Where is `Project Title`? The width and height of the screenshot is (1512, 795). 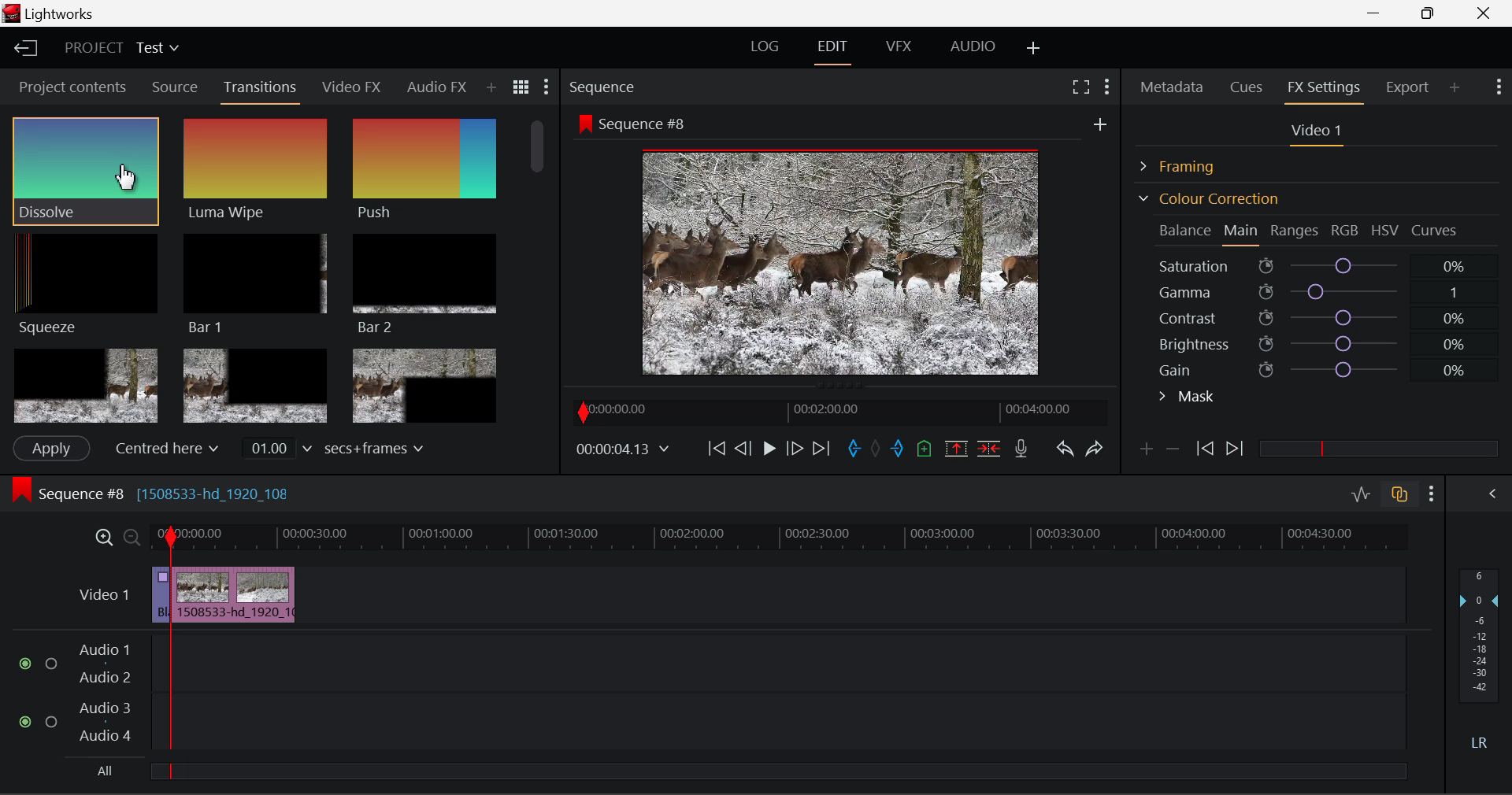 Project Title is located at coordinates (122, 49).